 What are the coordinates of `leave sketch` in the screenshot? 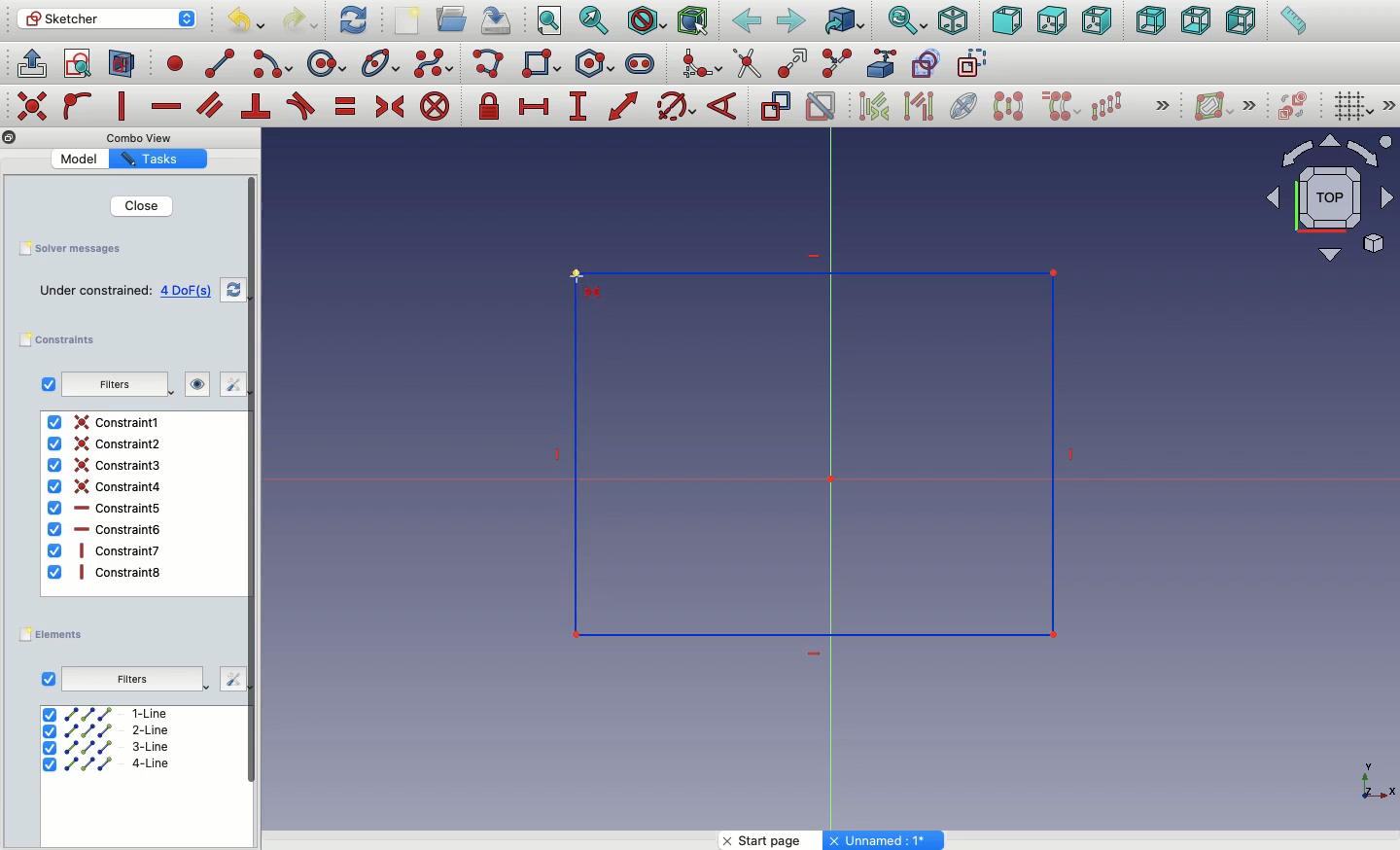 It's located at (30, 62).